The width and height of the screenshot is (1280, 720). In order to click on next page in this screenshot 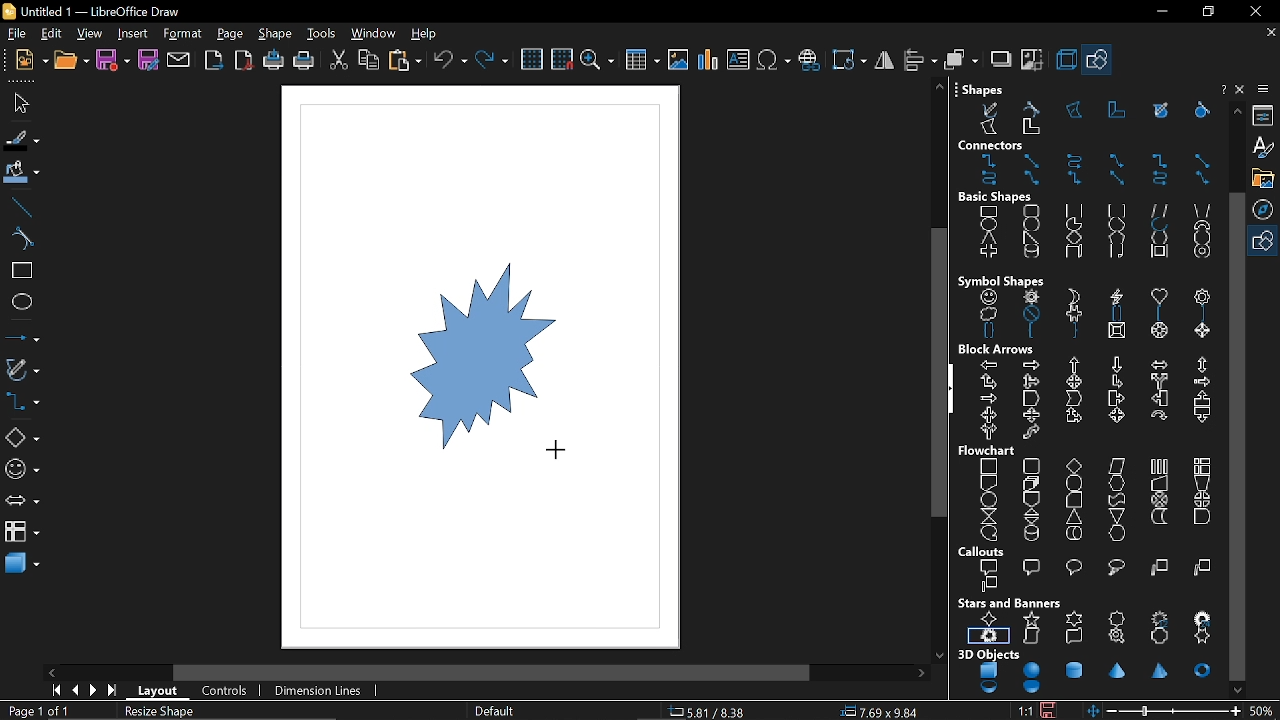, I will do `click(96, 691)`.